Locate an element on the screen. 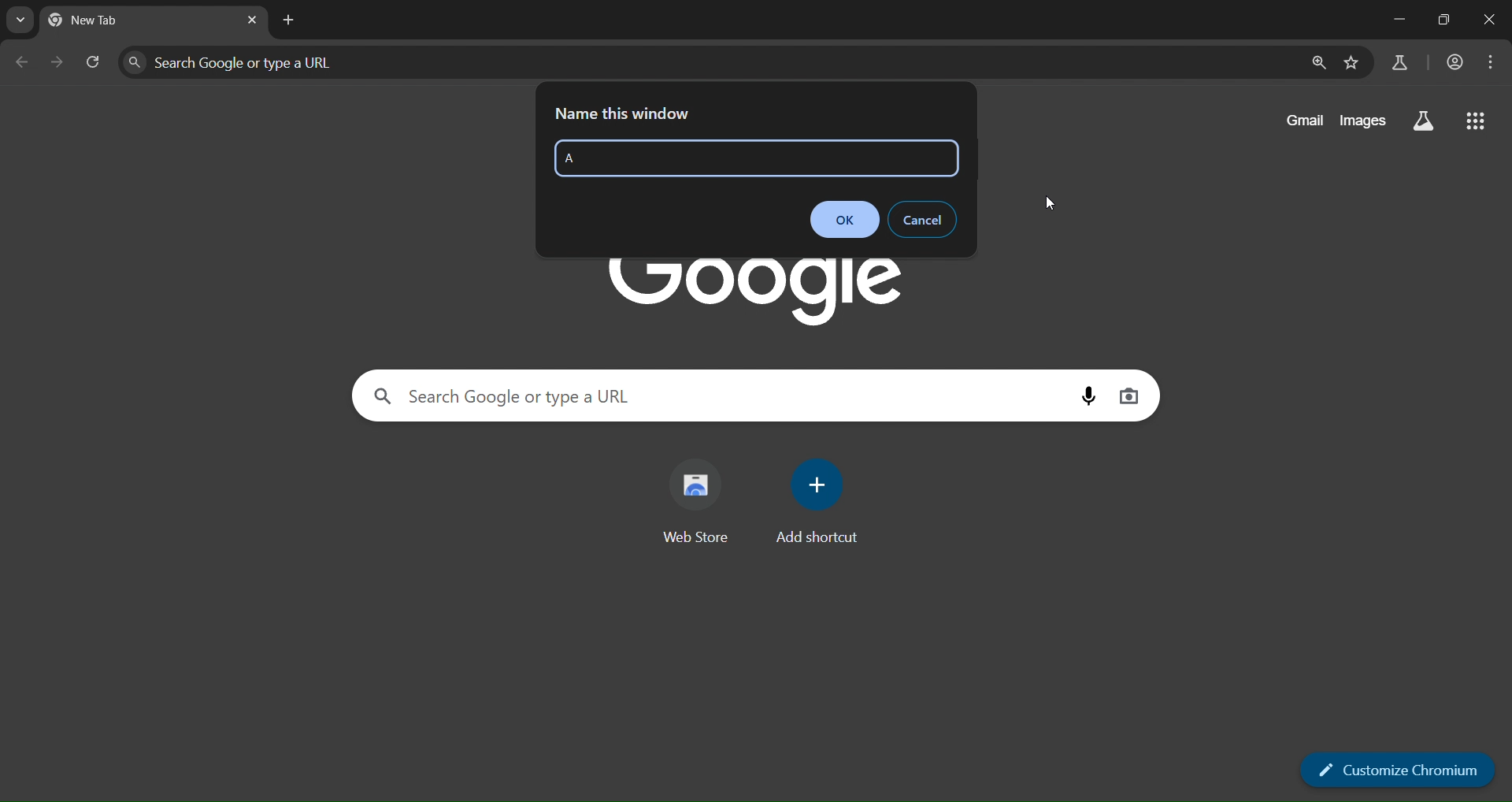  menu is located at coordinates (1494, 63).